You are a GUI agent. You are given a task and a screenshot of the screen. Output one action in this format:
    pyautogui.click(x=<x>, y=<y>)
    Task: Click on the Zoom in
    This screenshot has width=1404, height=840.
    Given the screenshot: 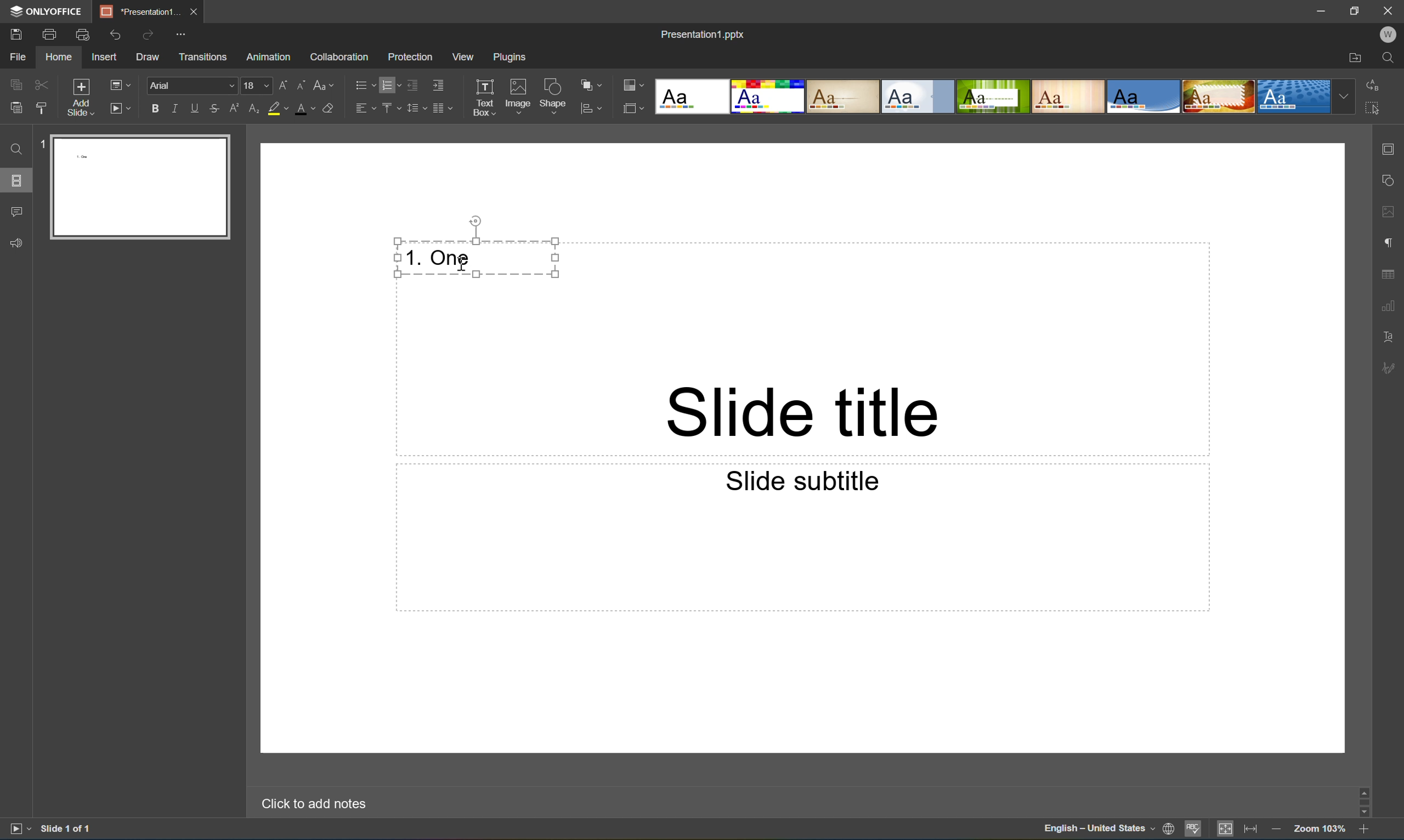 What is the action you would take?
    pyautogui.click(x=1364, y=832)
    